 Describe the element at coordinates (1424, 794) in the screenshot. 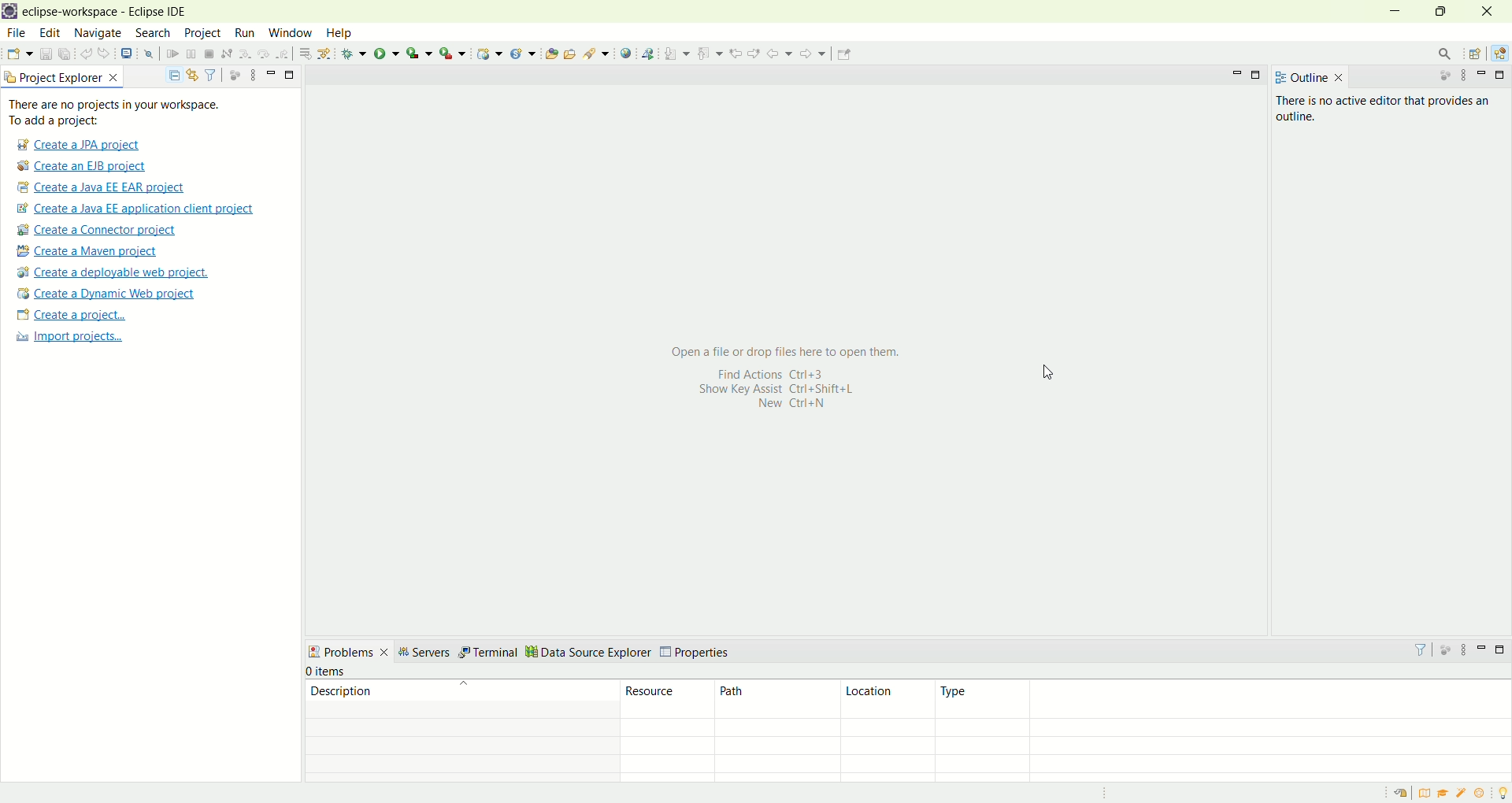

I see `overview` at that location.